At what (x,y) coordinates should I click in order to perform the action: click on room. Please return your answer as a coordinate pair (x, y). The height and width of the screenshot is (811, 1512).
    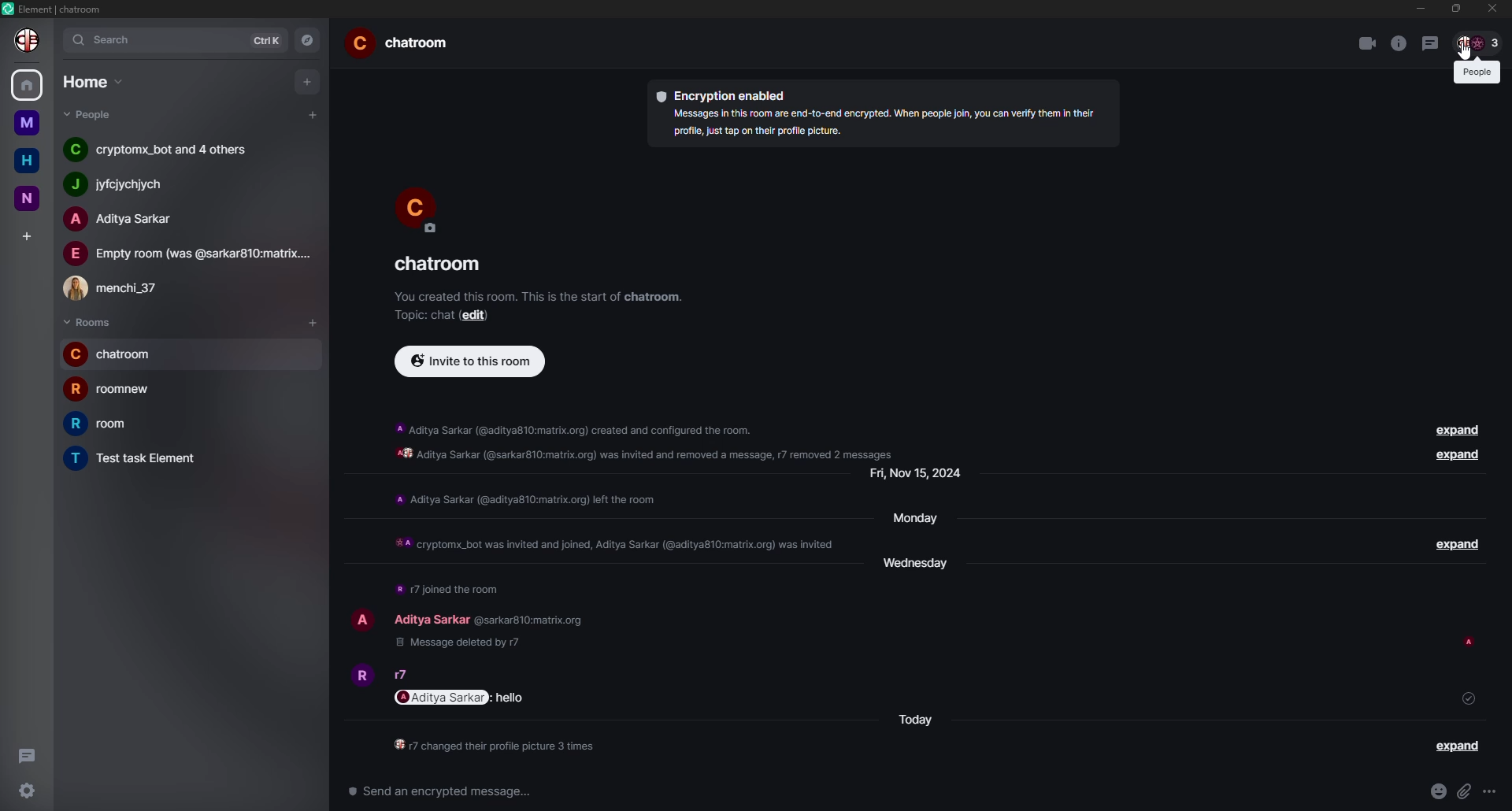
    Looking at the image, I should click on (437, 265).